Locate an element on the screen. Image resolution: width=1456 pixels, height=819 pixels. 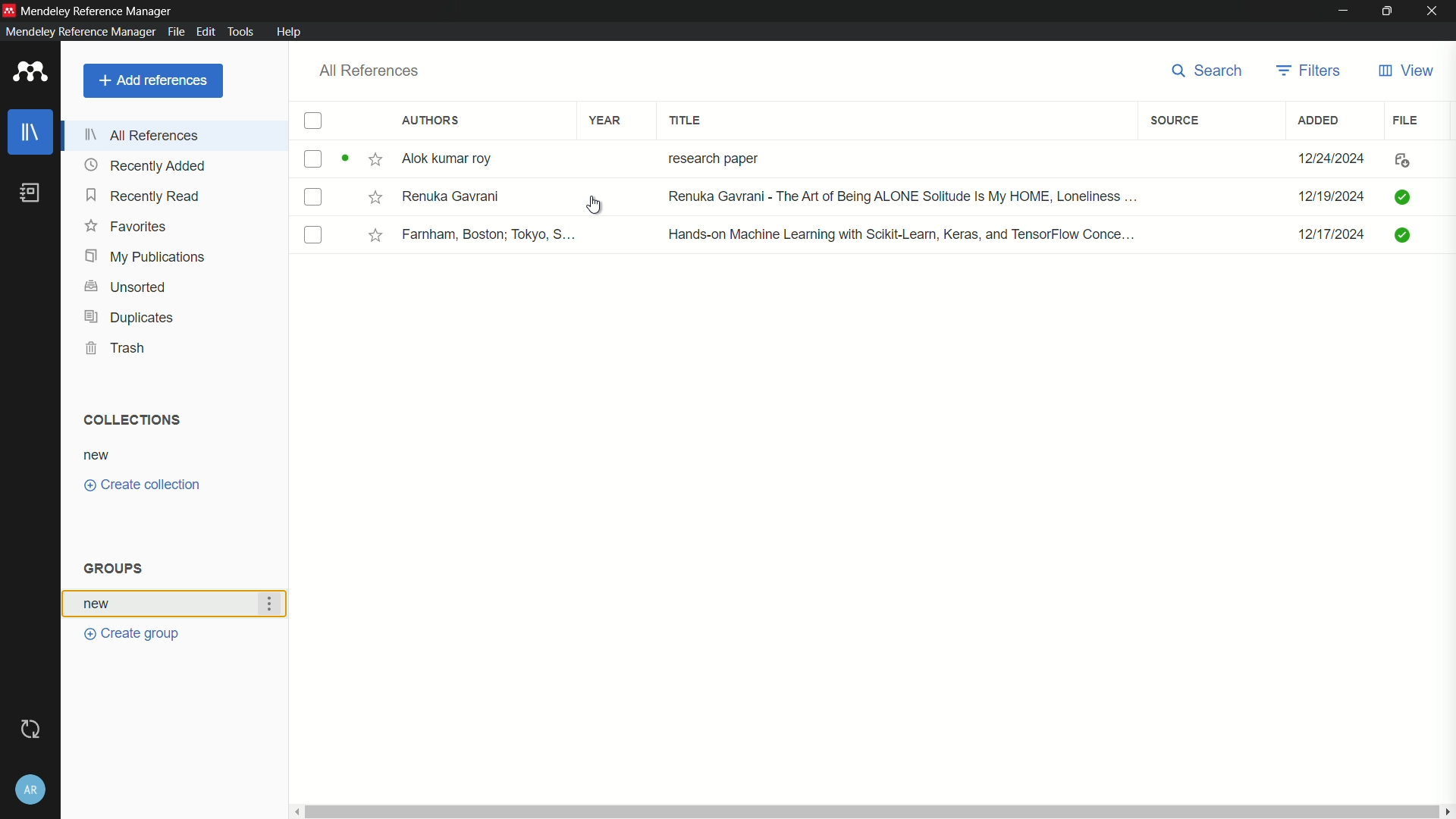
Mendeley Reference Manager is located at coordinates (99, 9).